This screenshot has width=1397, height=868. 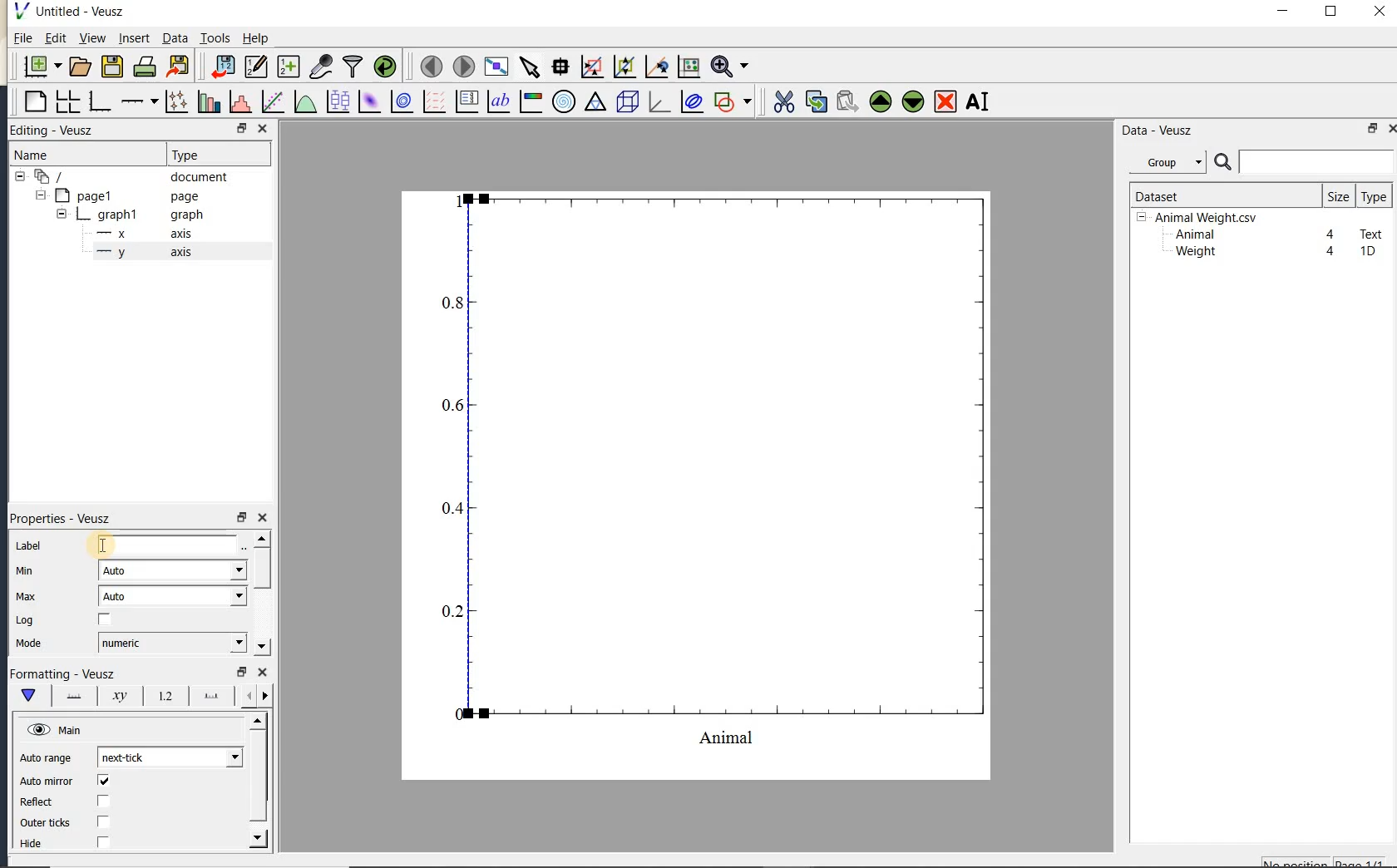 What do you see at coordinates (46, 758) in the screenshot?
I see `Auto range` at bounding box center [46, 758].